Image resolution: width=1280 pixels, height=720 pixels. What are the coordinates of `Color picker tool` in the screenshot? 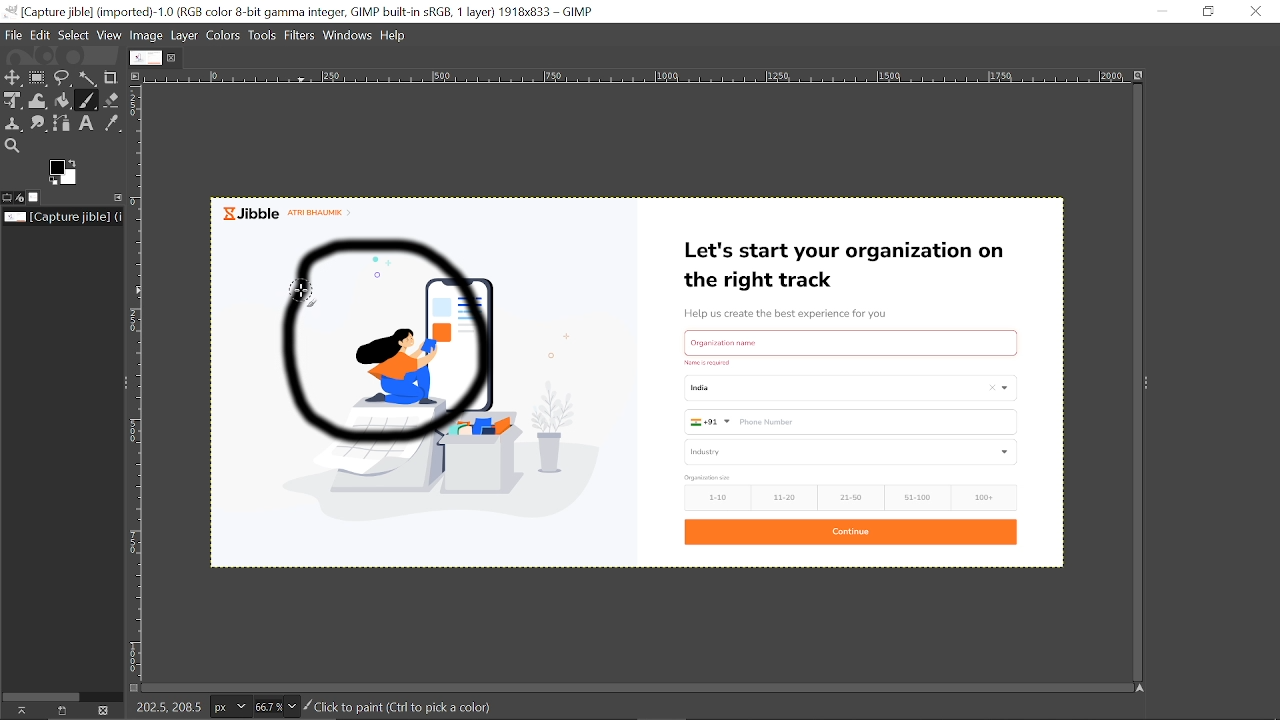 It's located at (117, 124).